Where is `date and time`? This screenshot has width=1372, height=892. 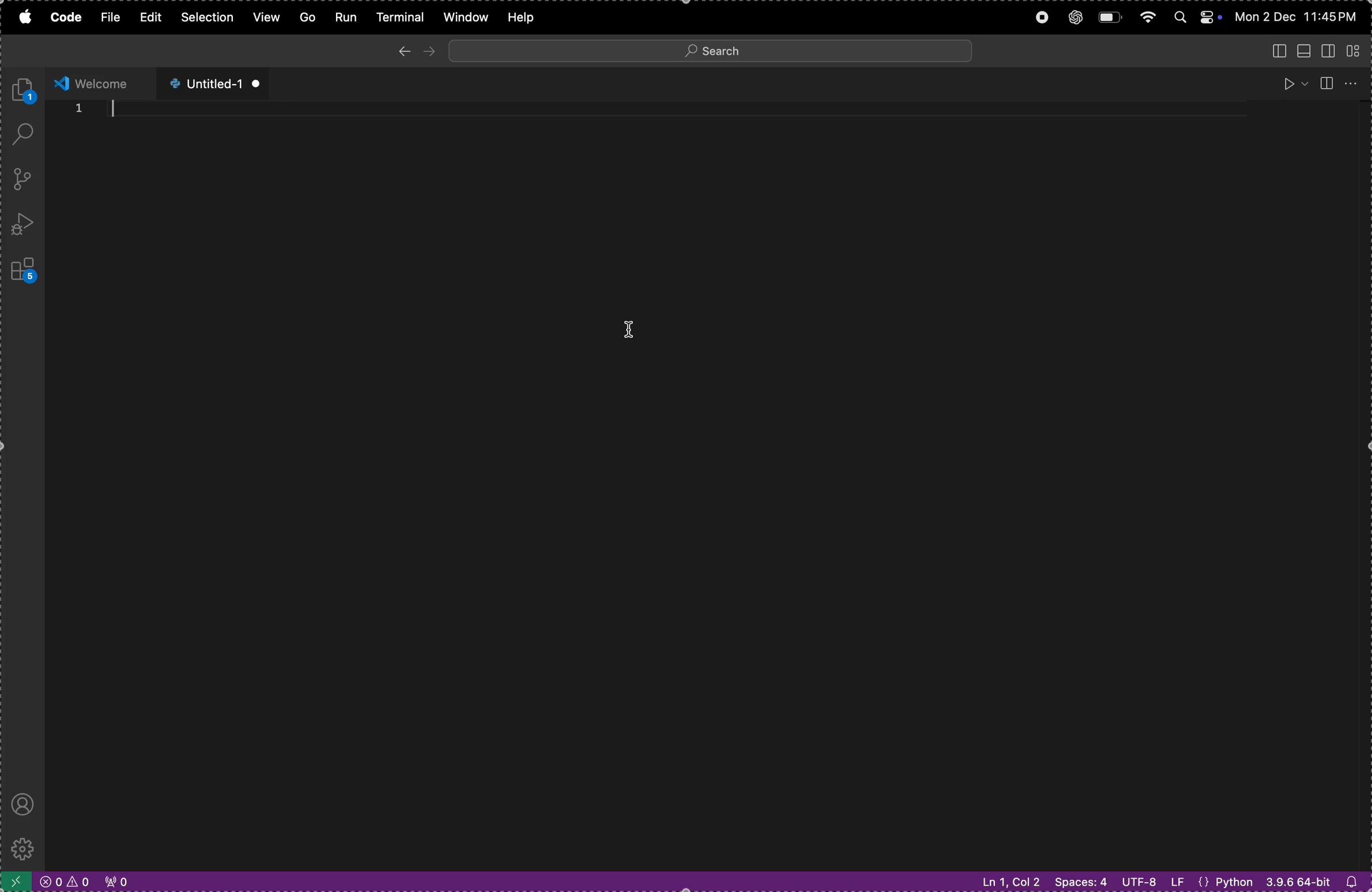
date and time is located at coordinates (1299, 16).